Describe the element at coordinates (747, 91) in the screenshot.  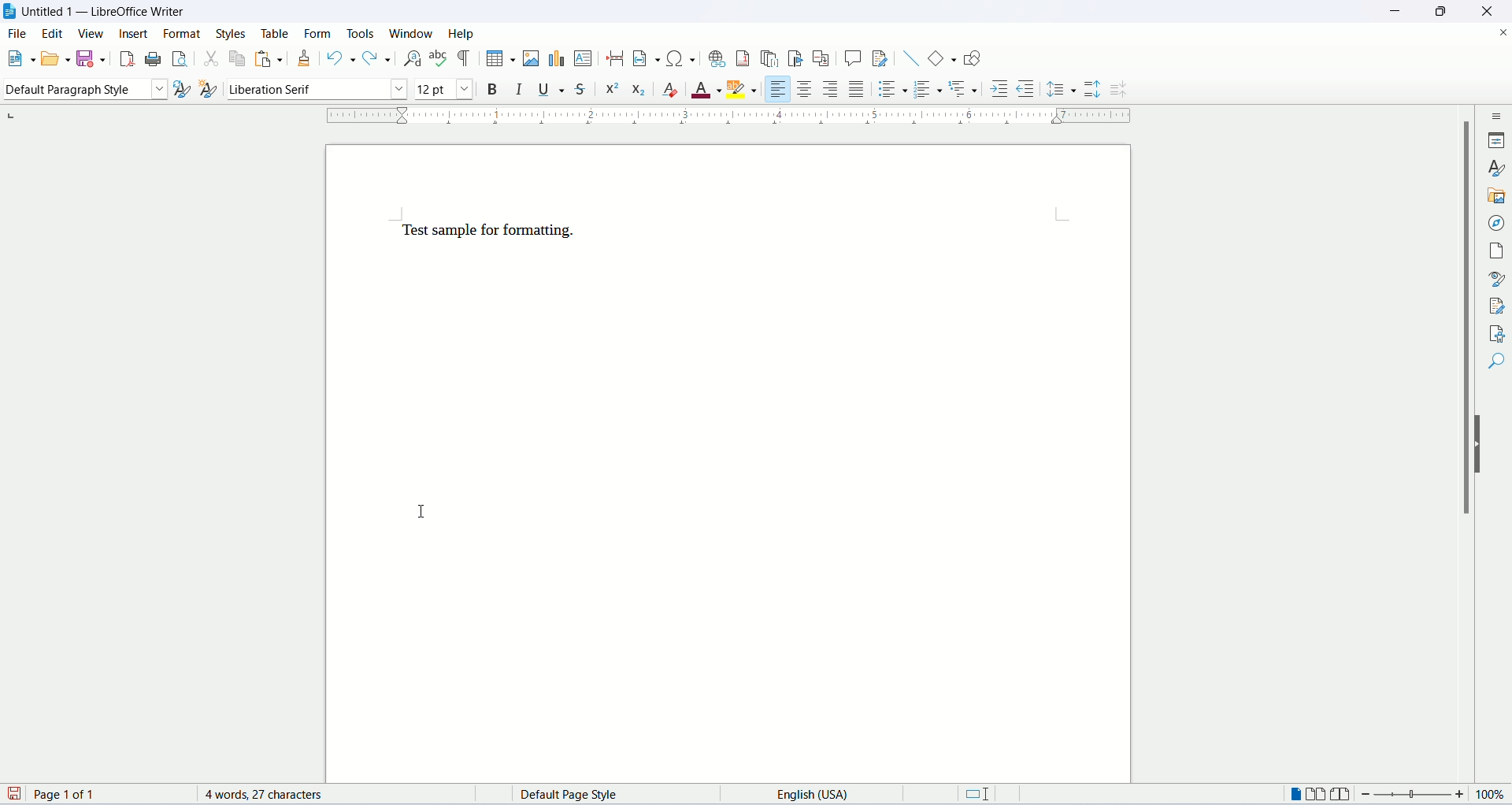
I see `highlighting color` at that location.